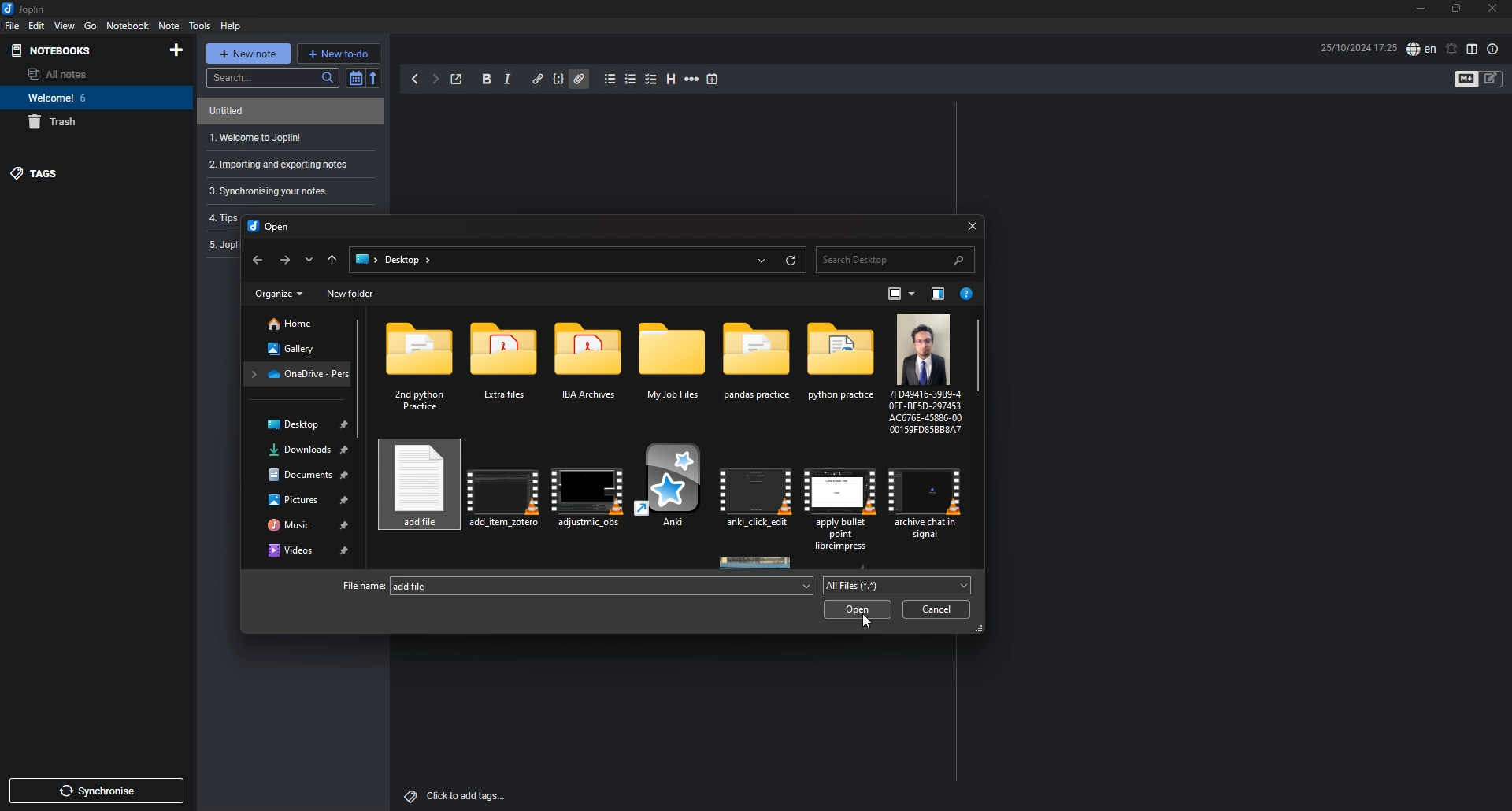 The height and width of the screenshot is (811, 1512). Describe the element at coordinates (761, 259) in the screenshot. I see `recent` at that location.